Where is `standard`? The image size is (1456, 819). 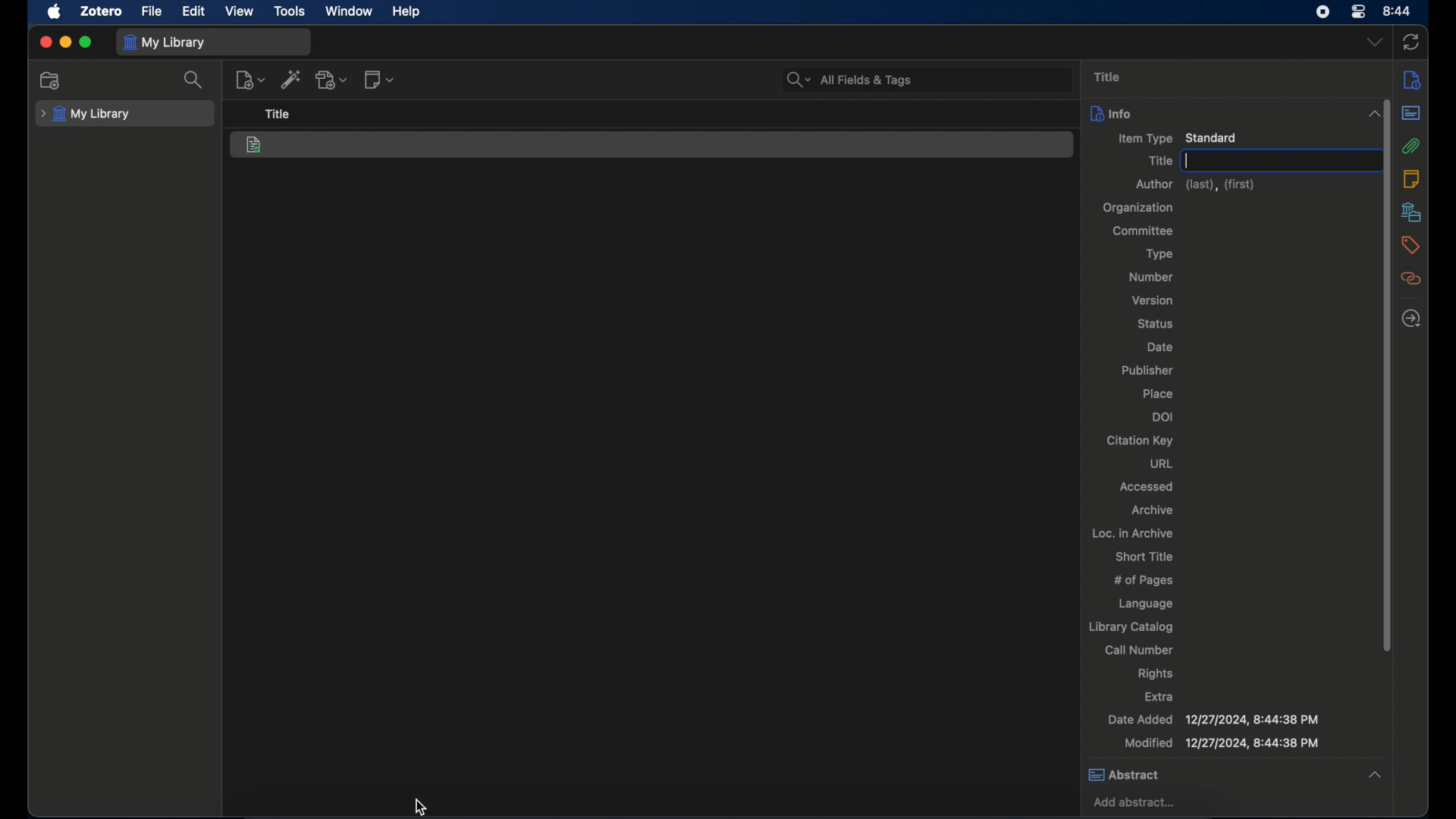 standard is located at coordinates (256, 146).